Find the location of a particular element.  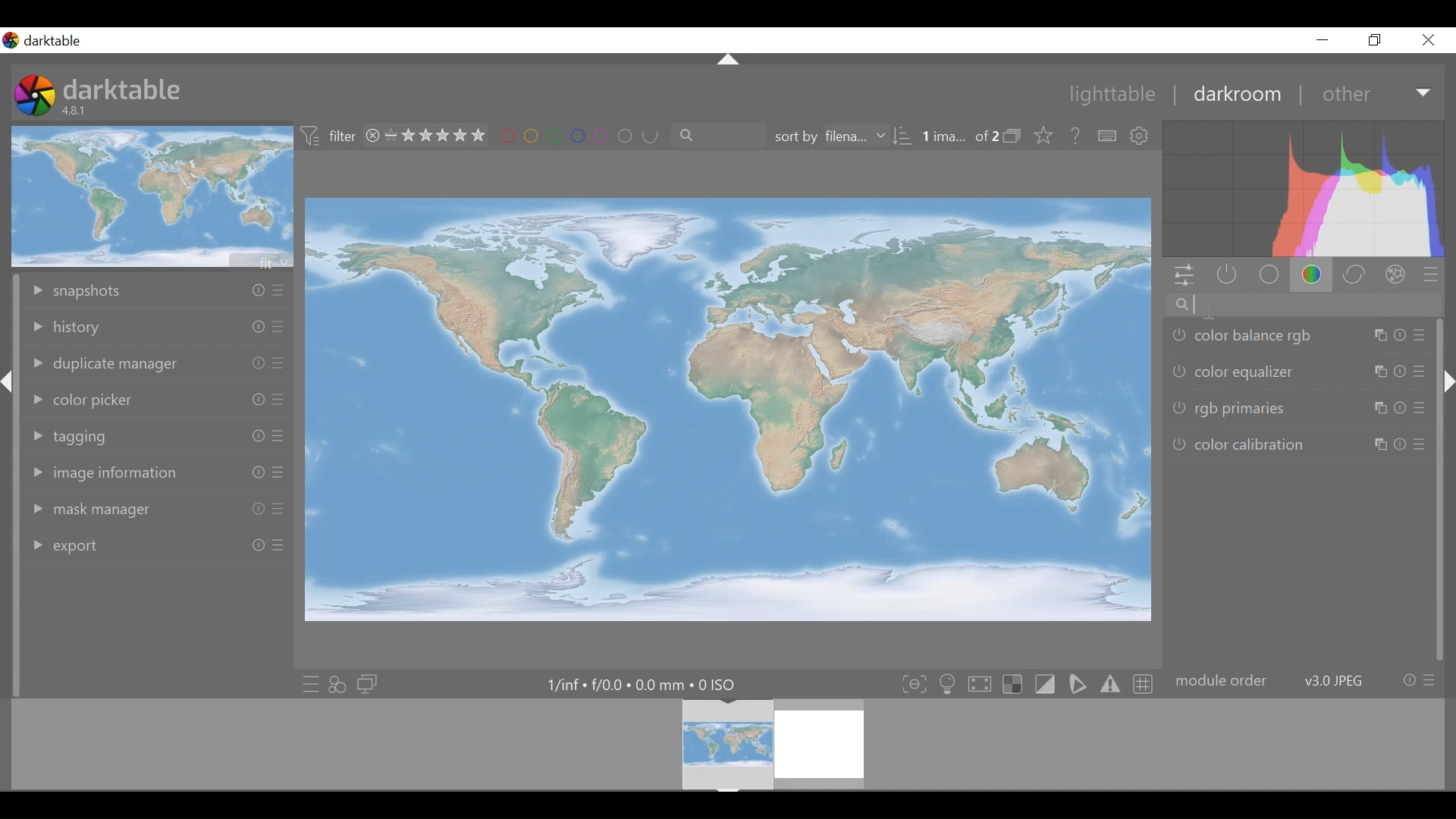

module order is located at coordinates (1304, 679).